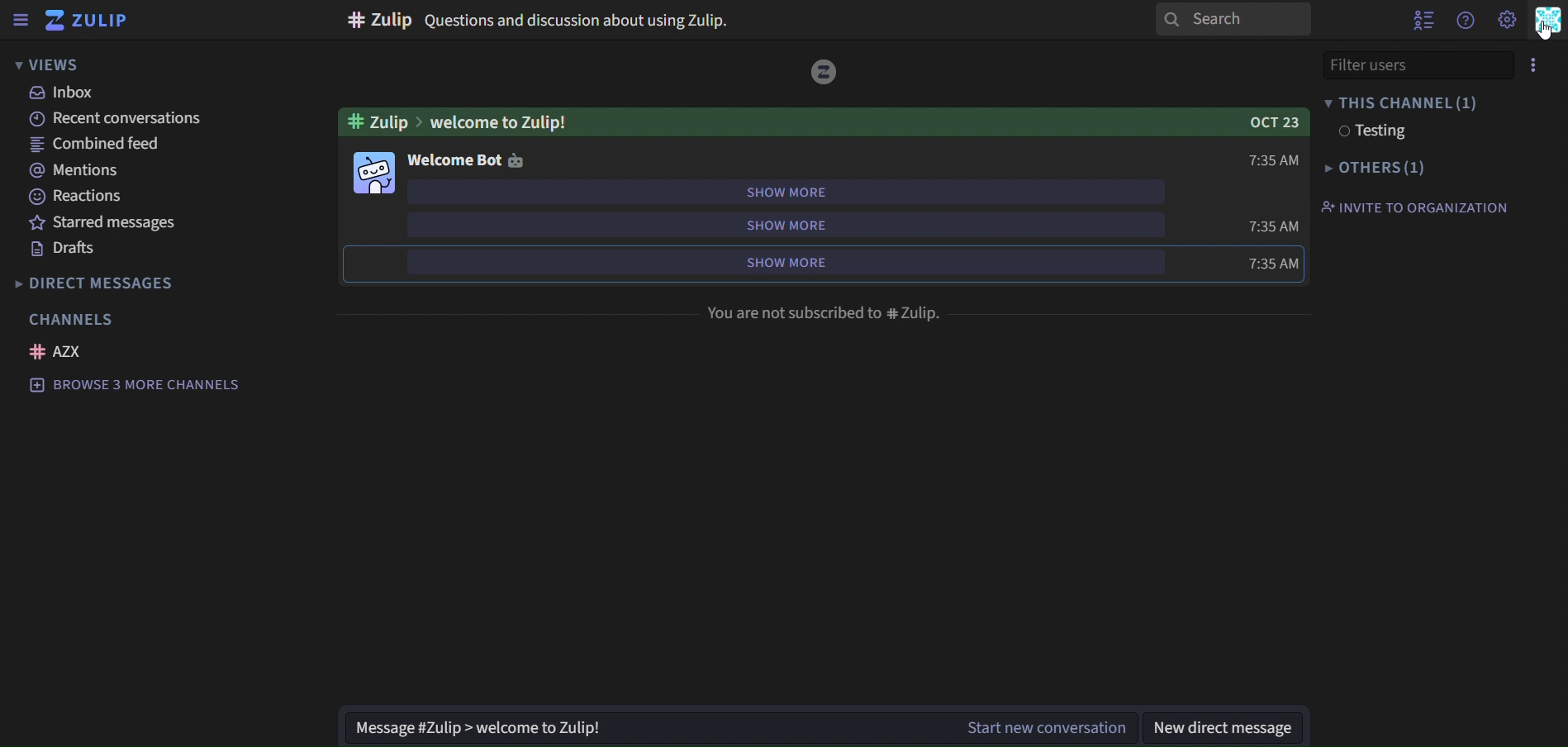 Image resolution: width=1568 pixels, height=747 pixels. I want to click on welcome to Zulip!, so click(504, 123).